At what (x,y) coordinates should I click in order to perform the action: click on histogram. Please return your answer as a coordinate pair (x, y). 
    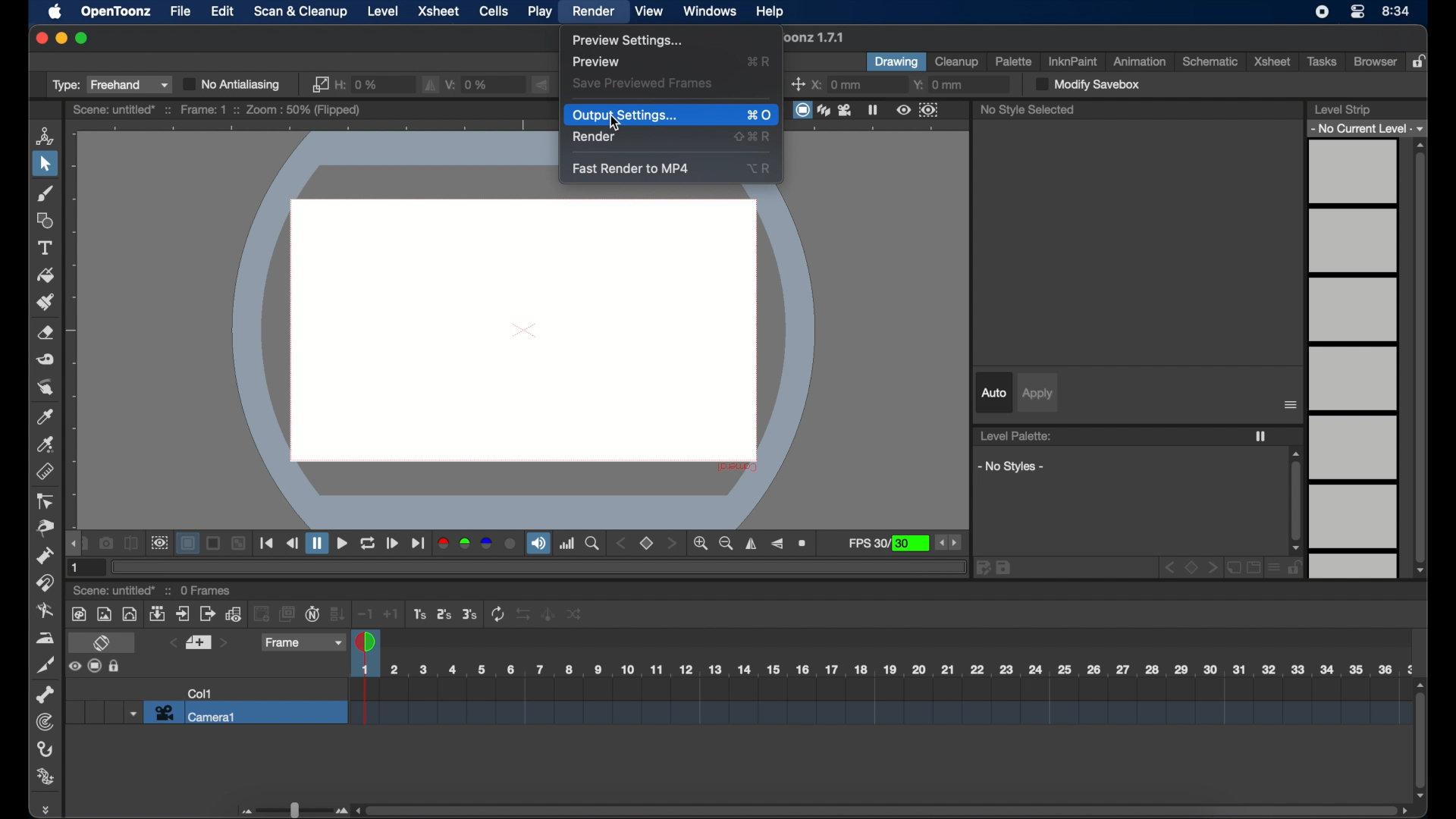
    Looking at the image, I should click on (567, 543).